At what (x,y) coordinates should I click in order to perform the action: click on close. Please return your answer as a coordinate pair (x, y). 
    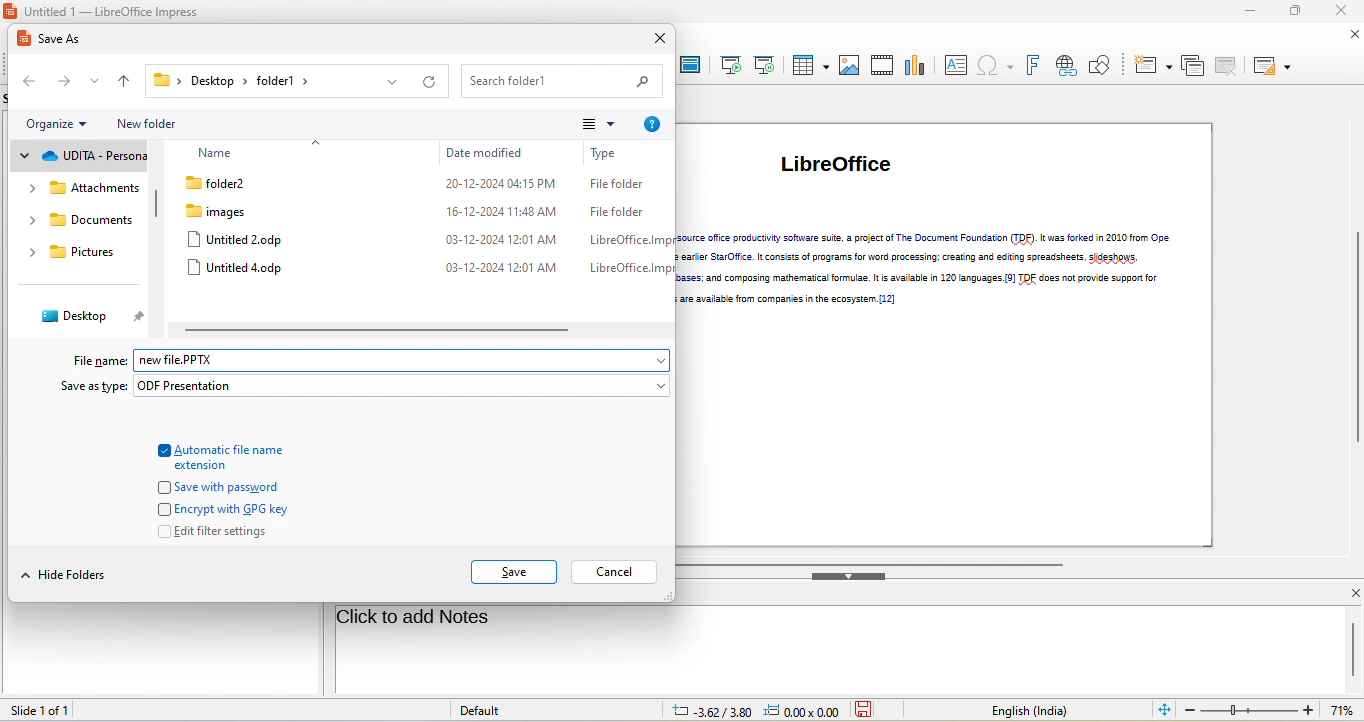
    Looking at the image, I should click on (1352, 37).